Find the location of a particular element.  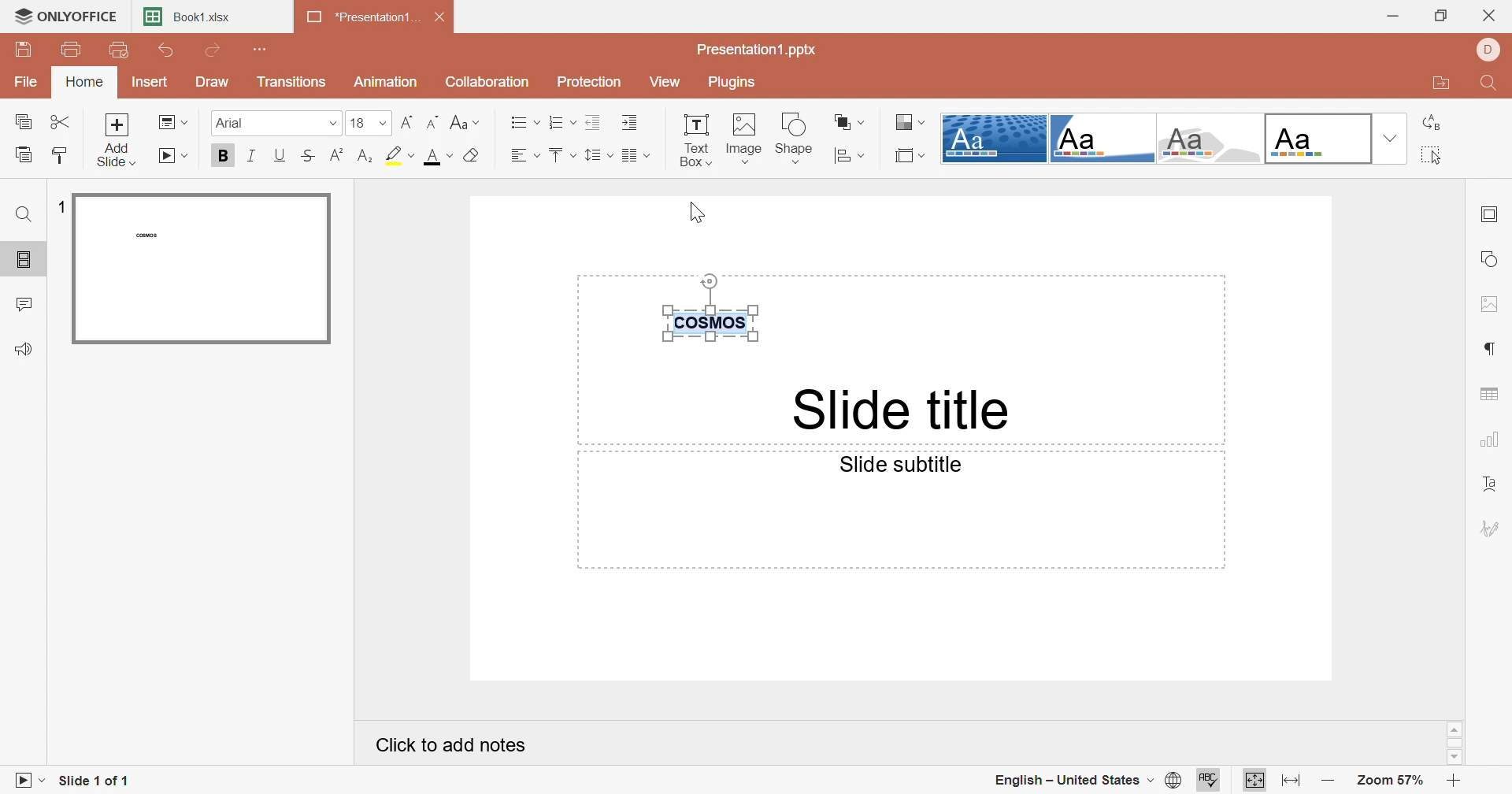

Numbering is located at coordinates (561, 123).